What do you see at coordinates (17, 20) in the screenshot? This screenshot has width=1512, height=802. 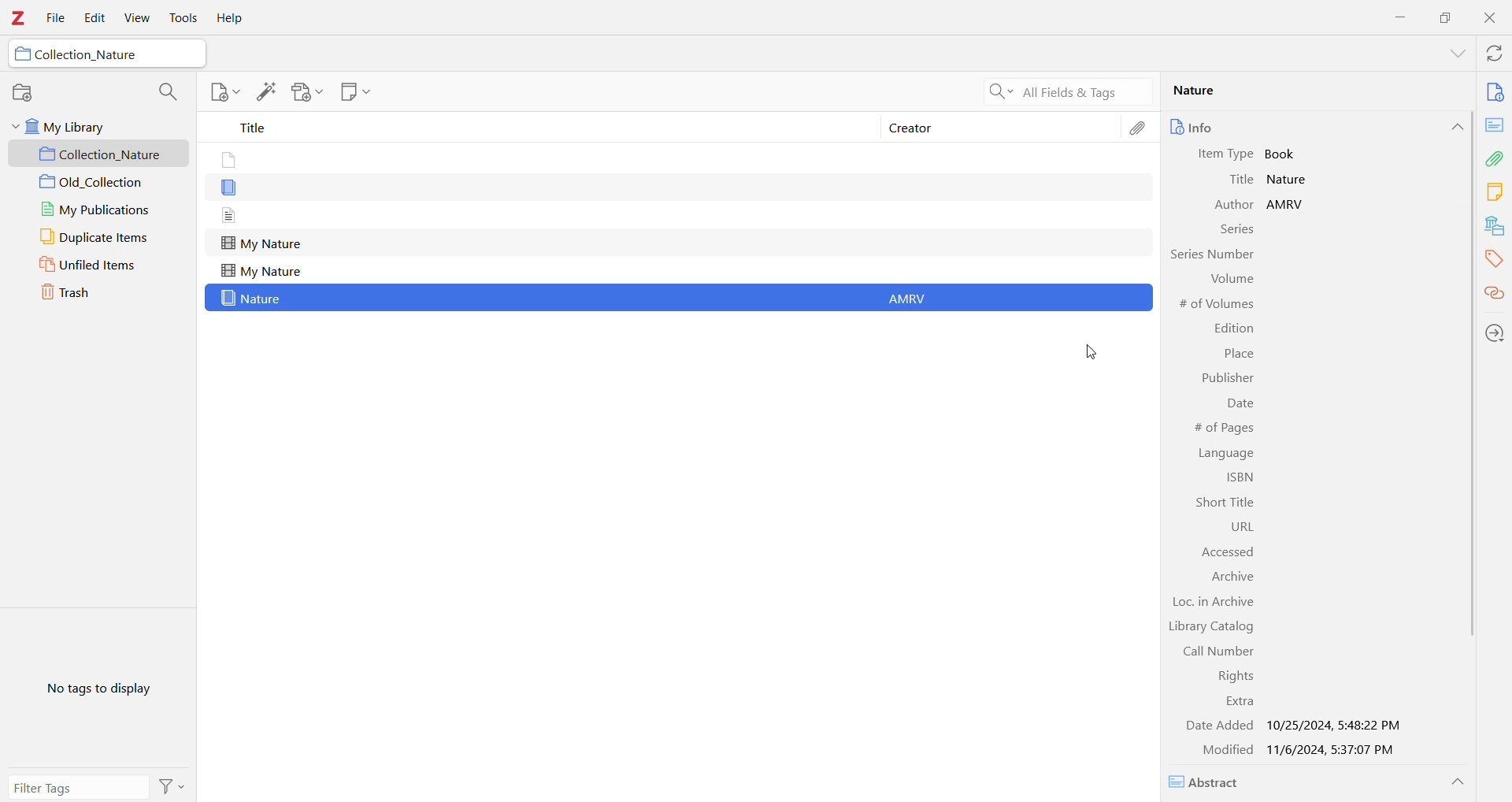 I see `Application Logo` at bounding box center [17, 20].